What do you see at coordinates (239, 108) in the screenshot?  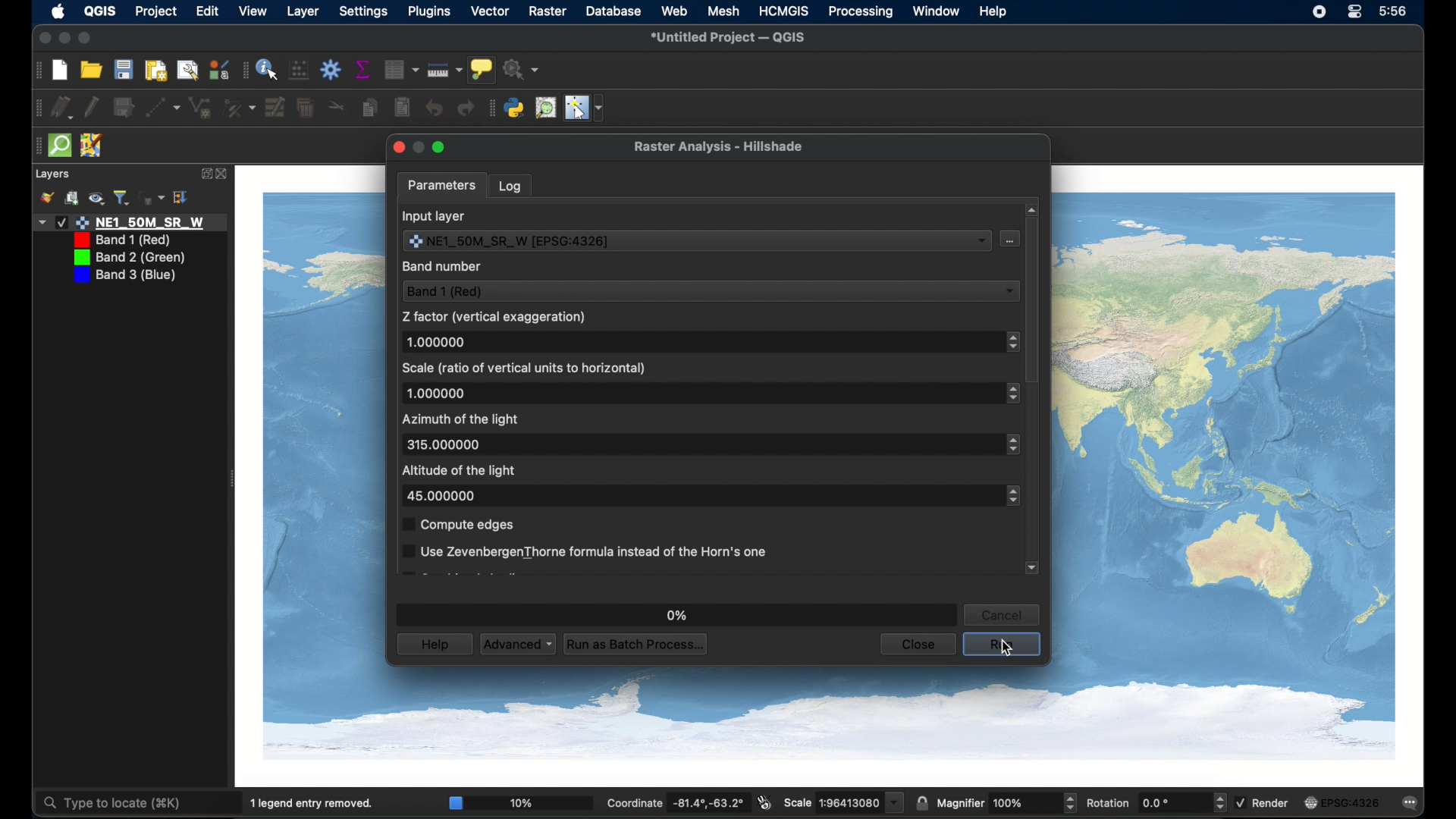 I see `vertex tool` at bounding box center [239, 108].